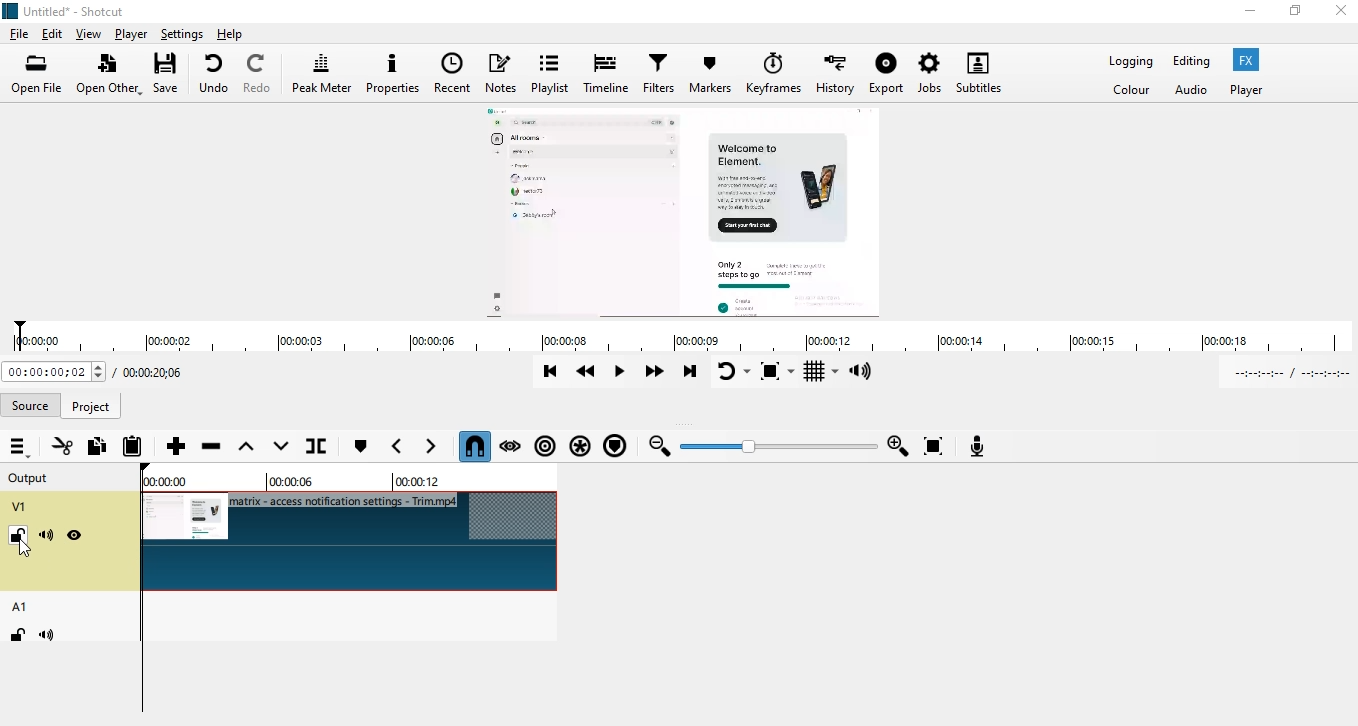  I want to click on open other, so click(110, 74).